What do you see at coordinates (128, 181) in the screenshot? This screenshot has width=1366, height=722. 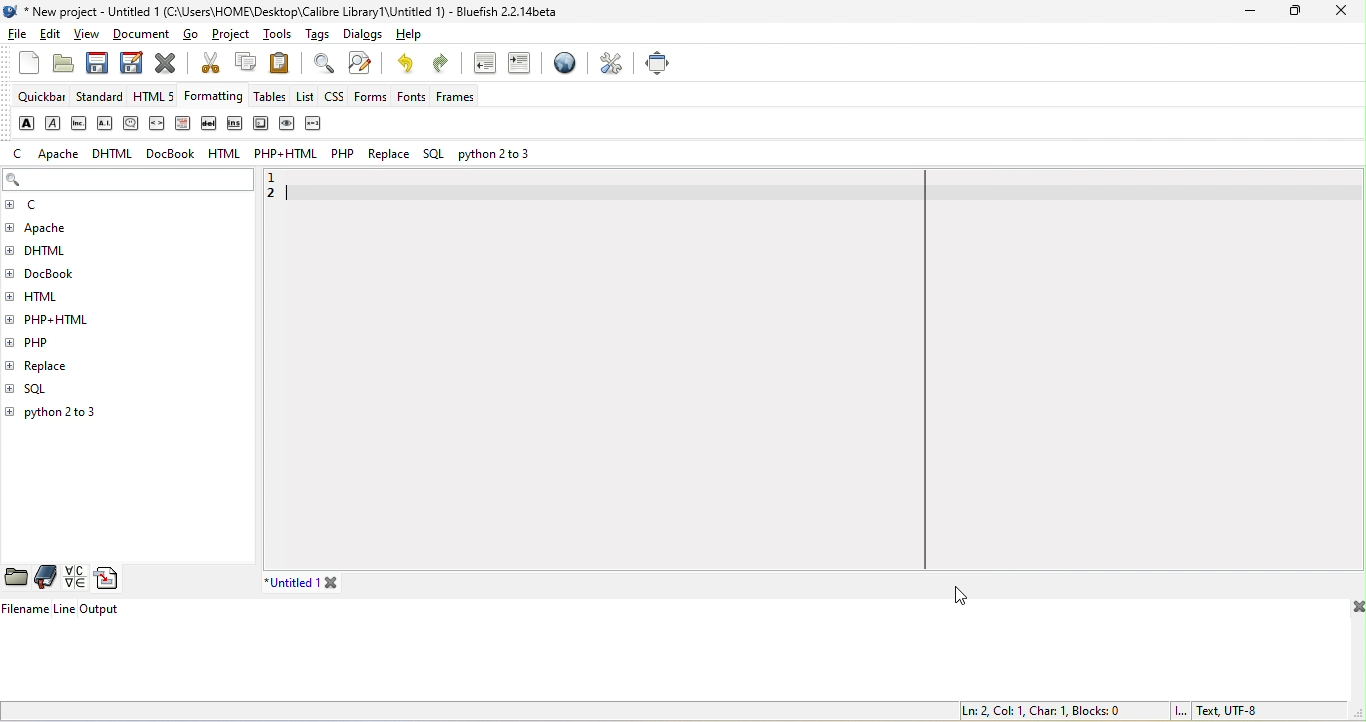 I see `search bar` at bounding box center [128, 181].